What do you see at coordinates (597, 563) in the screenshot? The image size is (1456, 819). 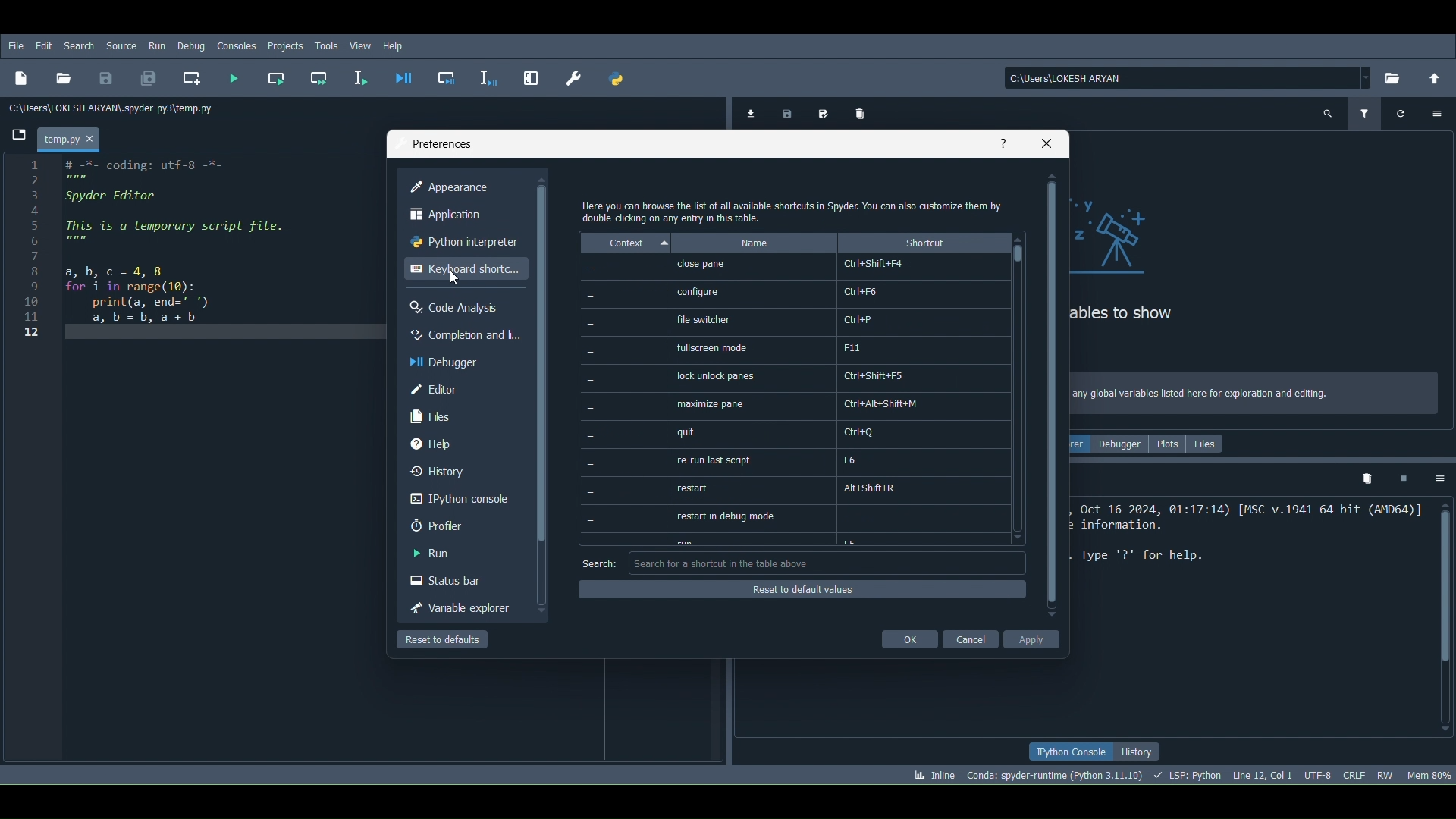 I see `Text` at bounding box center [597, 563].